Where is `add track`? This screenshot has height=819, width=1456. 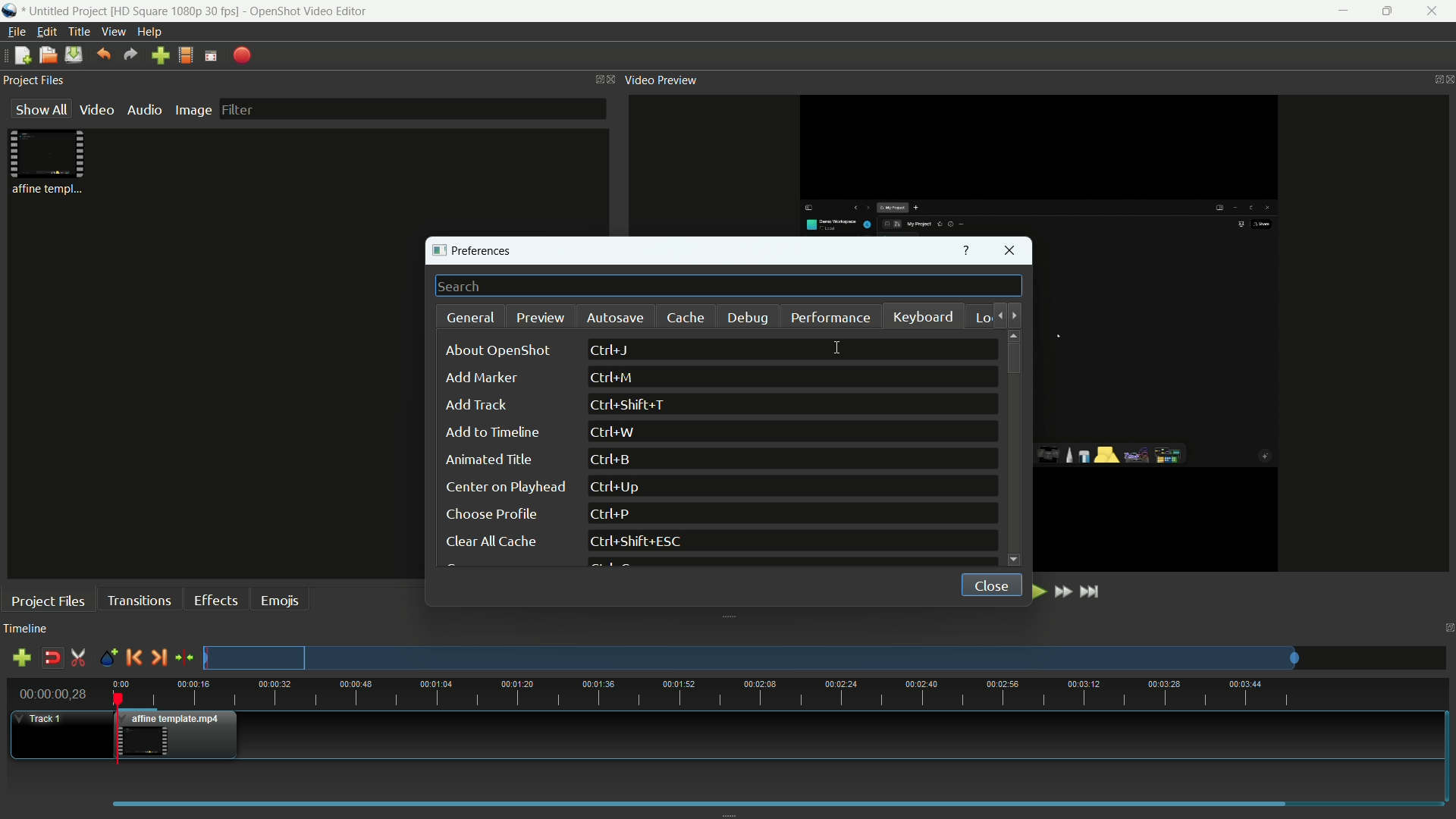
add track is located at coordinates (21, 660).